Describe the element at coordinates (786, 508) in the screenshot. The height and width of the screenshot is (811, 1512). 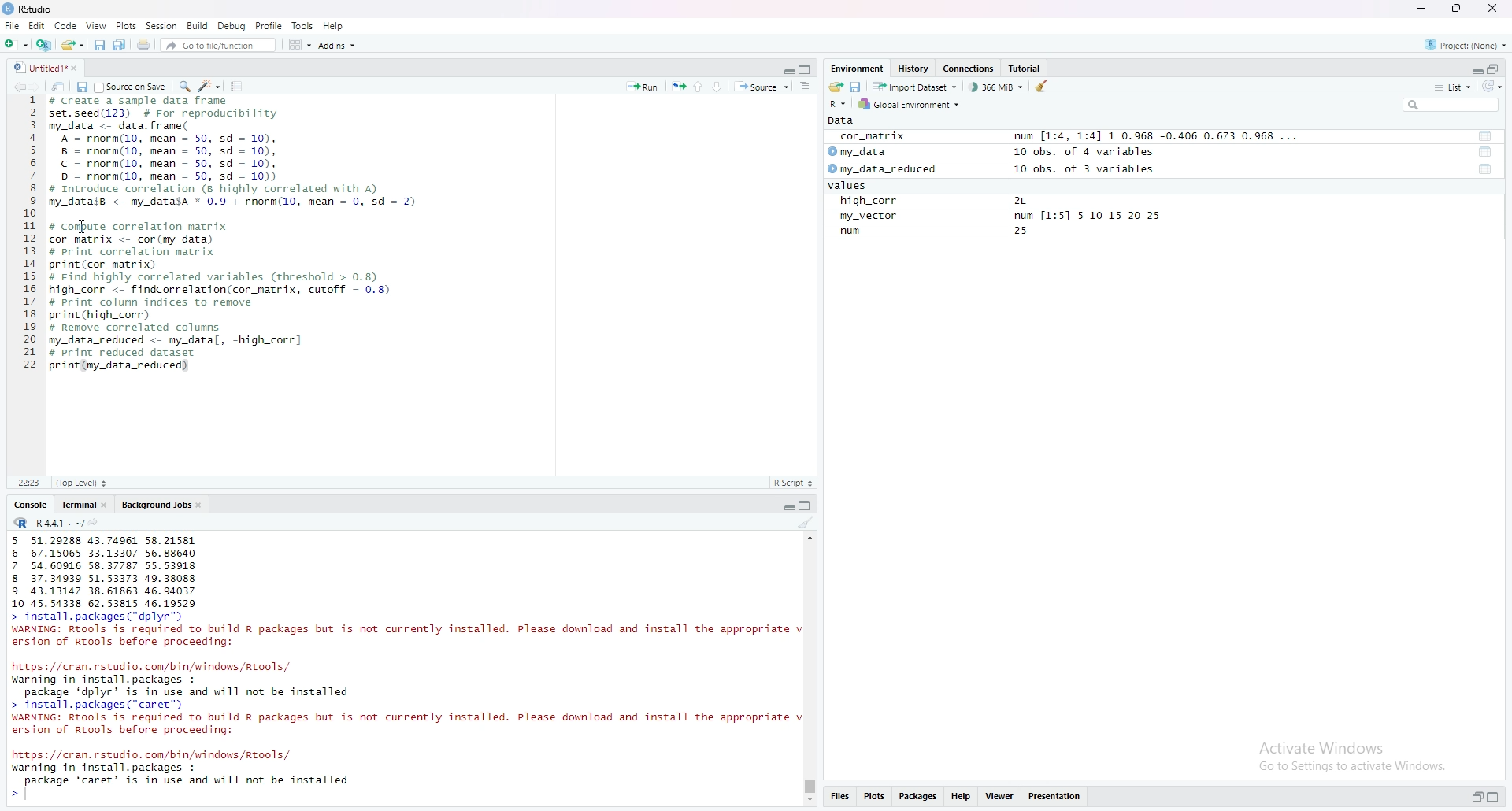
I see `Collapse` at that location.